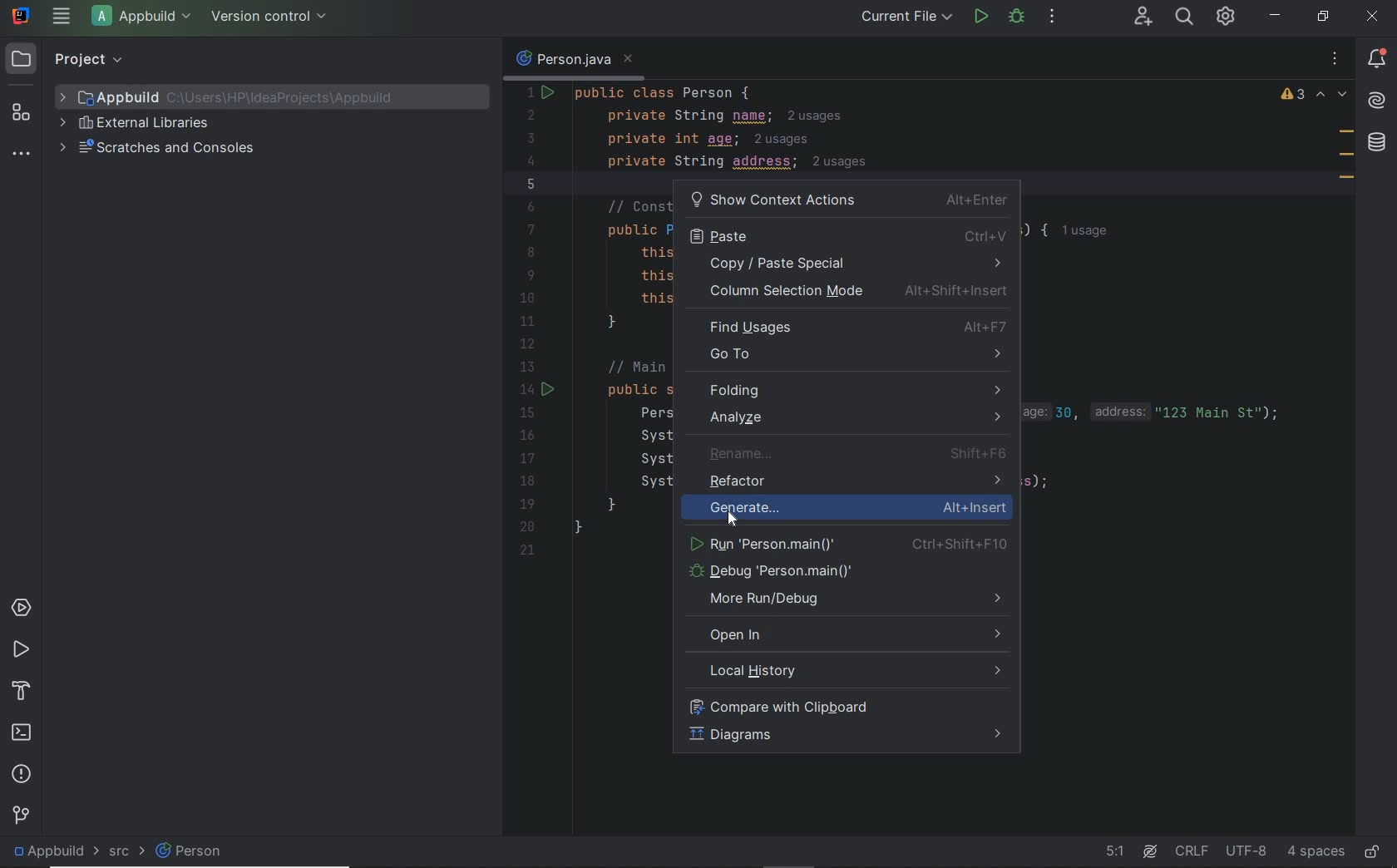  Describe the element at coordinates (22, 16) in the screenshot. I see `system name` at that location.